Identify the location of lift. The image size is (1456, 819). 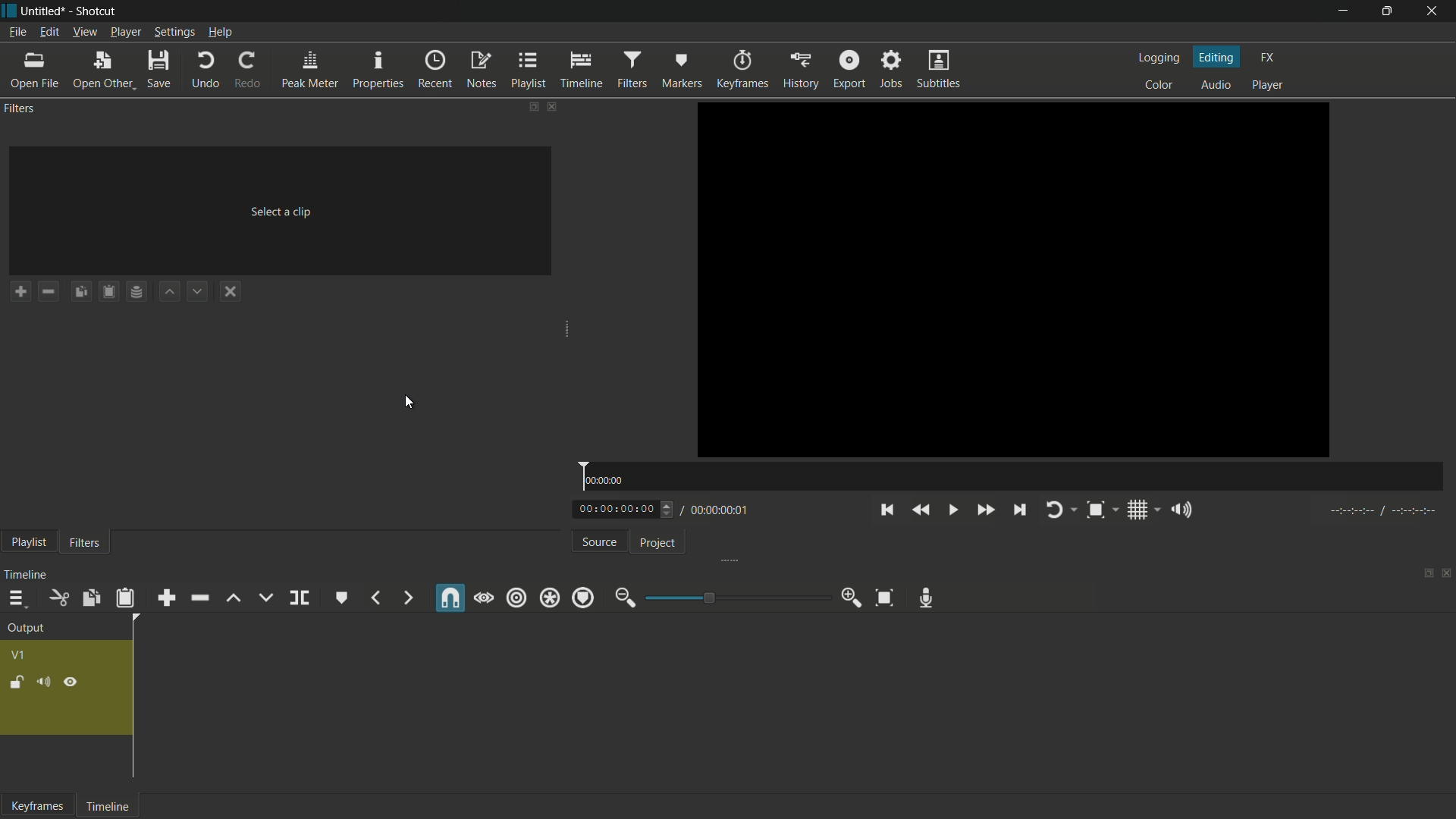
(236, 598).